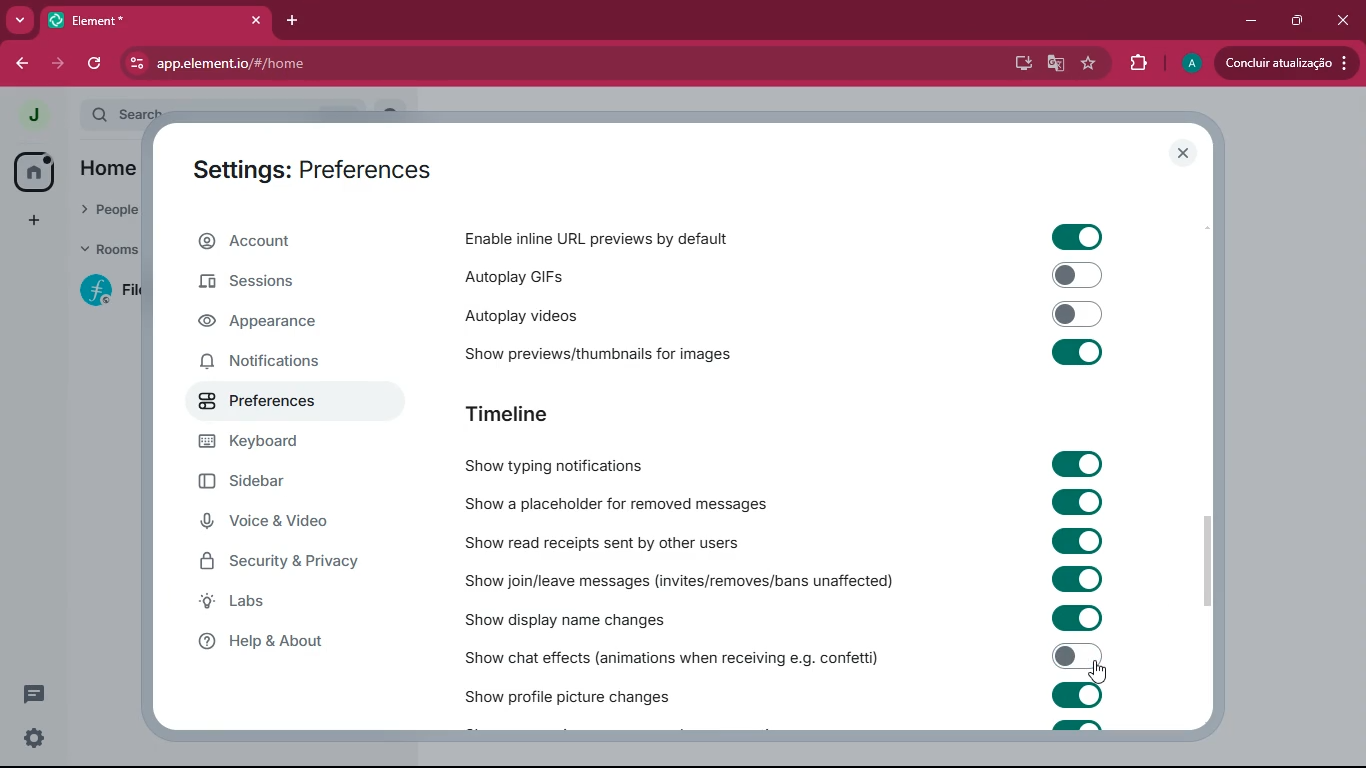 The width and height of the screenshot is (1366, 768). Describe the element at coordinates (616, 542) in the screenshot. I see `show read receipts sent by other users` at that location.